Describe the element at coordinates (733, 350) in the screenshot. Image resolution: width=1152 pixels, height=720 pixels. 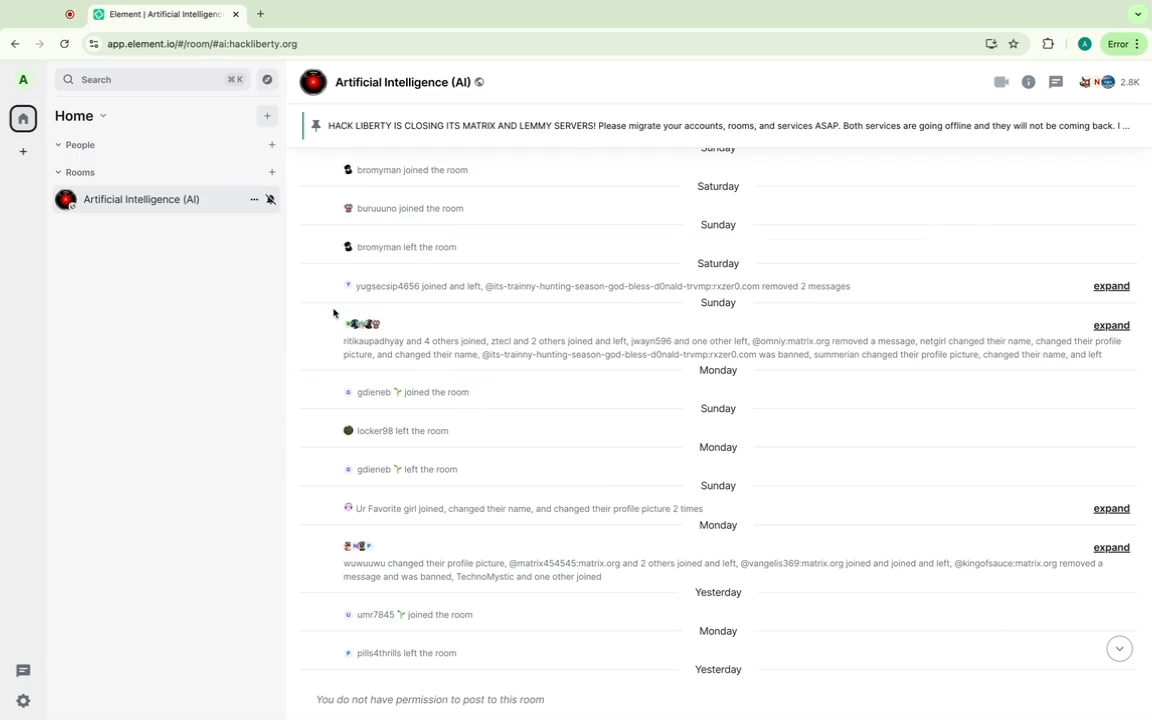
I see `Message` at that location.